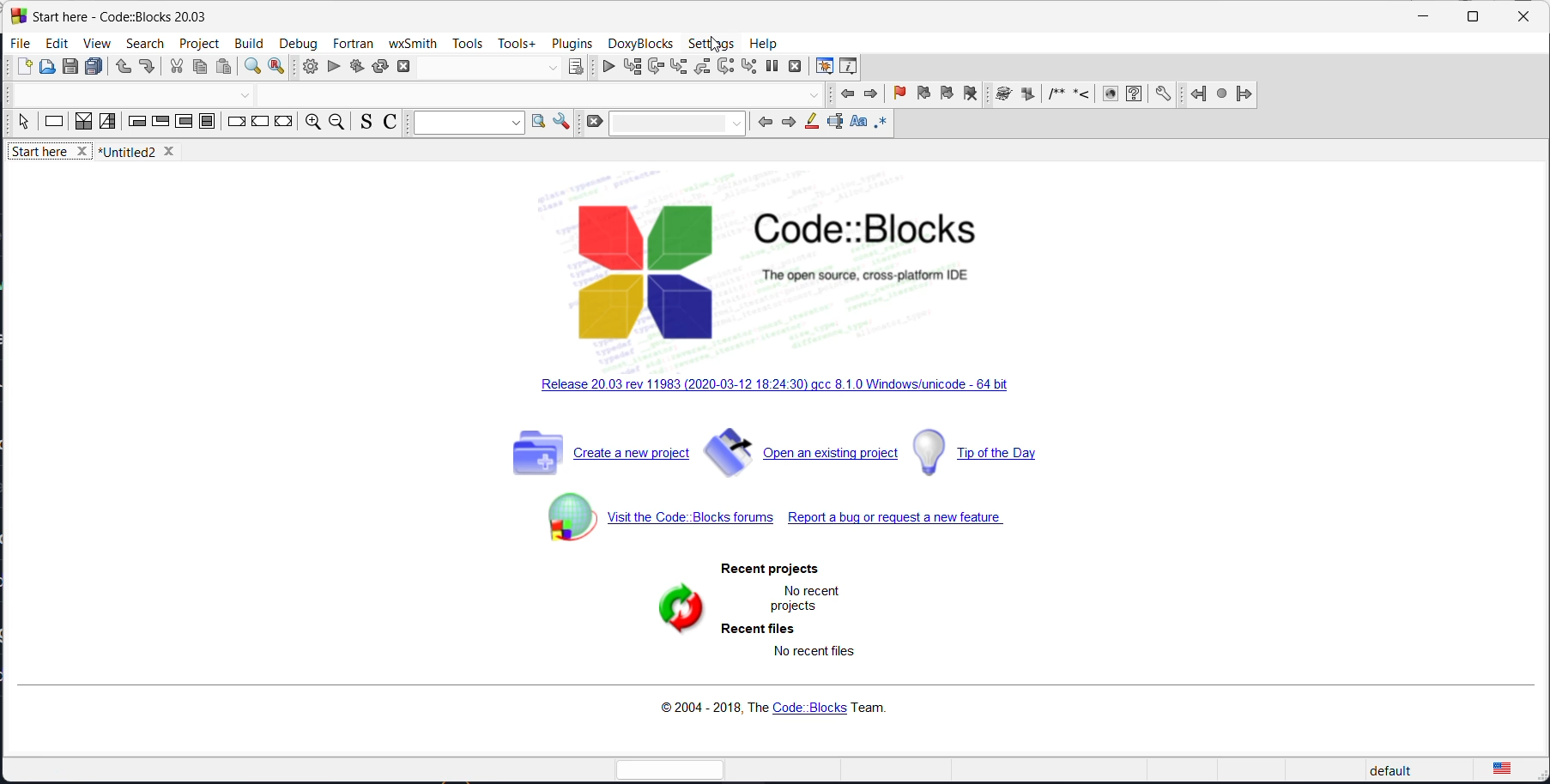 This screenshot has height=784, width=1550. What do you see at coordinates (552, 69) in the screenshot?
I see `dropdown` at bounding box center [552, 69].